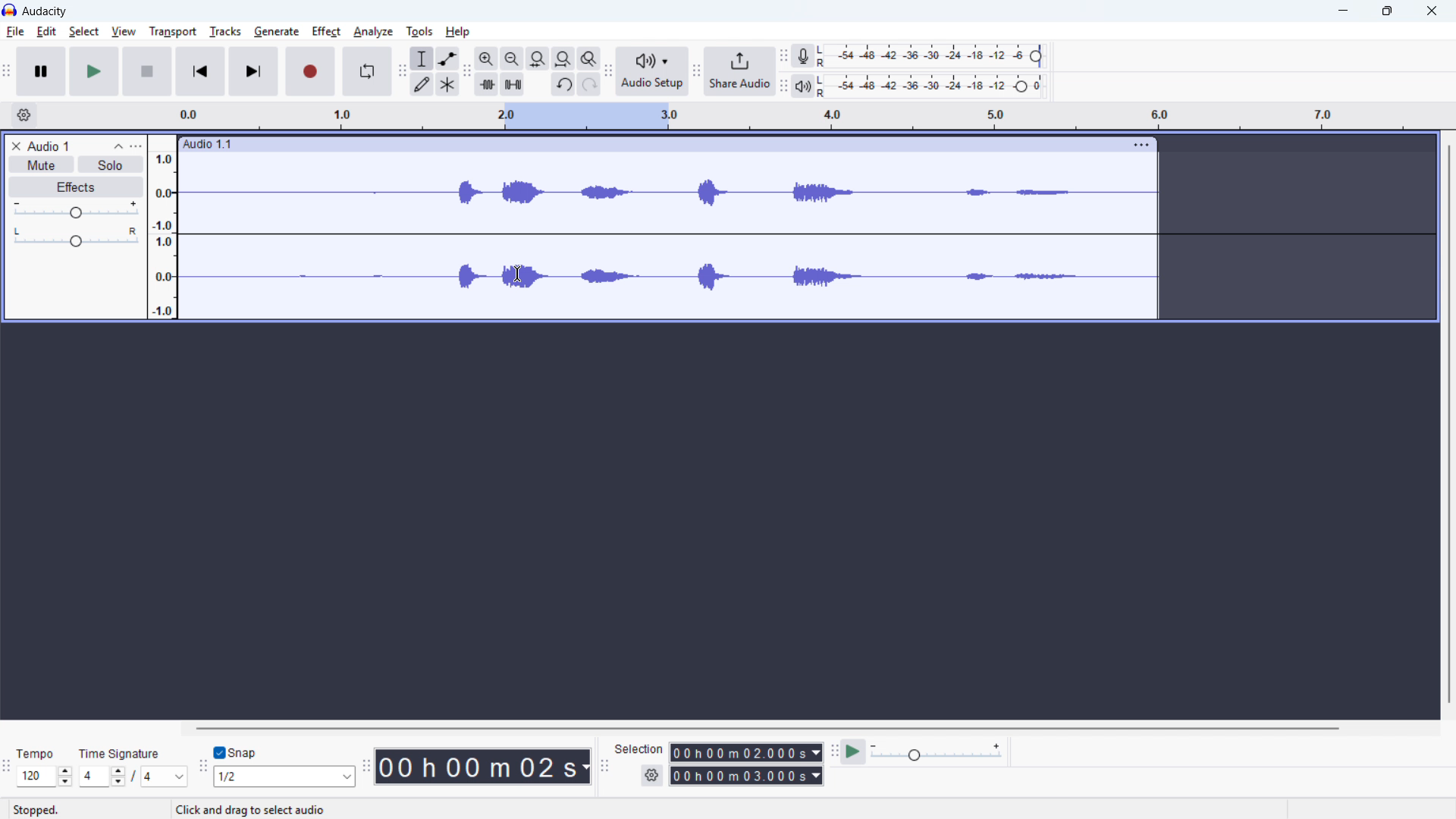  I want to click on Mute, so click(40, 164).